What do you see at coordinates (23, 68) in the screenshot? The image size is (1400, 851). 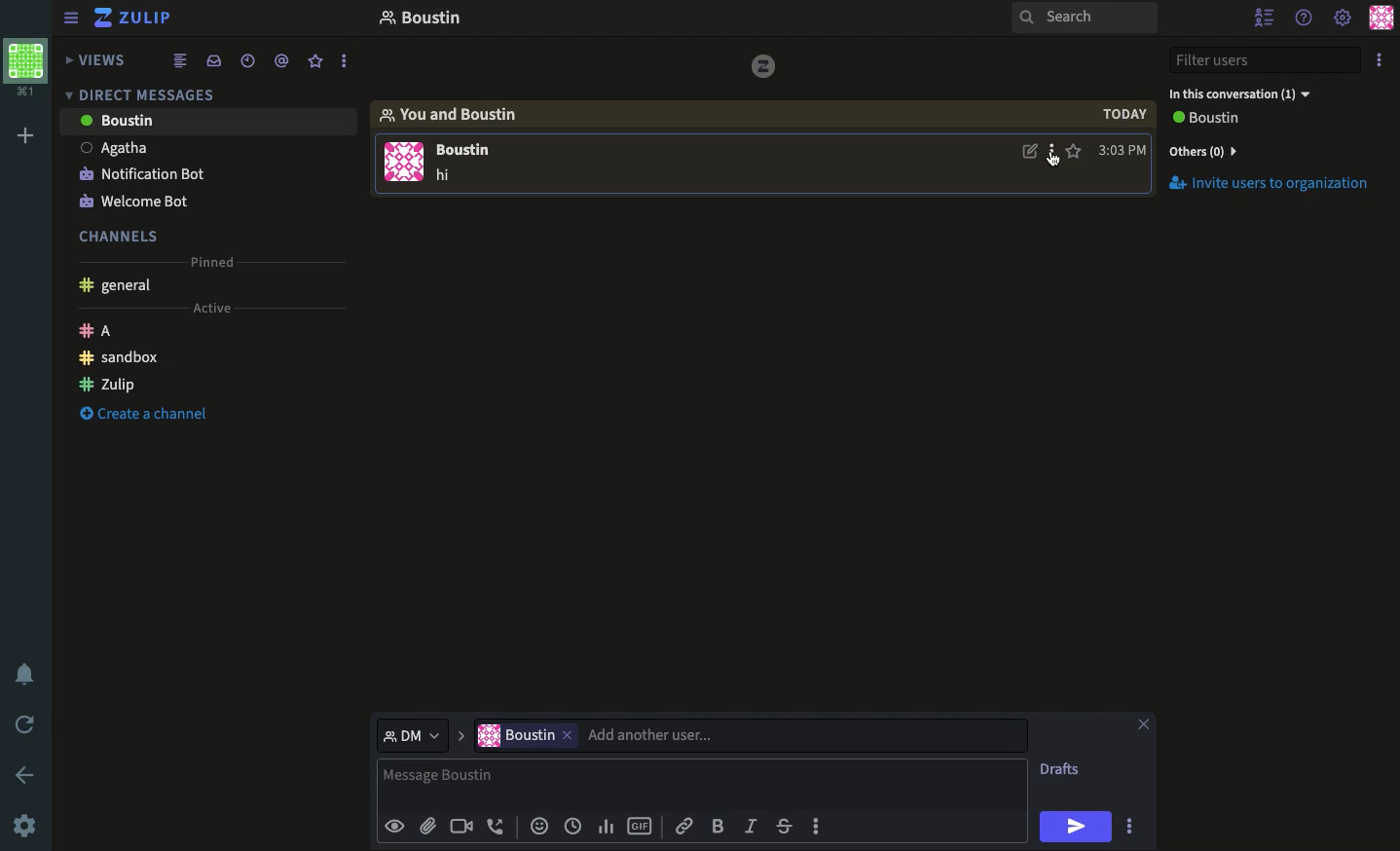 I see `Workspace profile` at bounding box center [23, 68].